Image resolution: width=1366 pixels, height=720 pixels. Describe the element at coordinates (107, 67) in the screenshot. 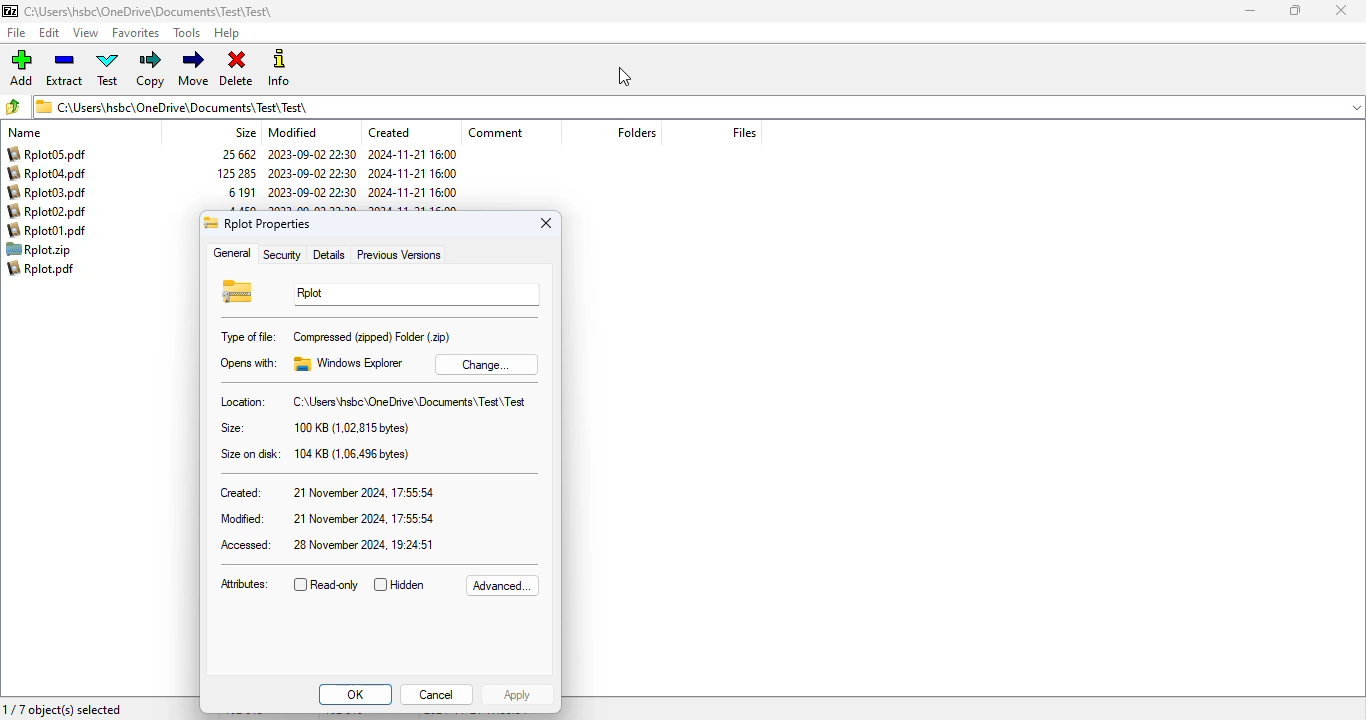

I see `test` at that location.